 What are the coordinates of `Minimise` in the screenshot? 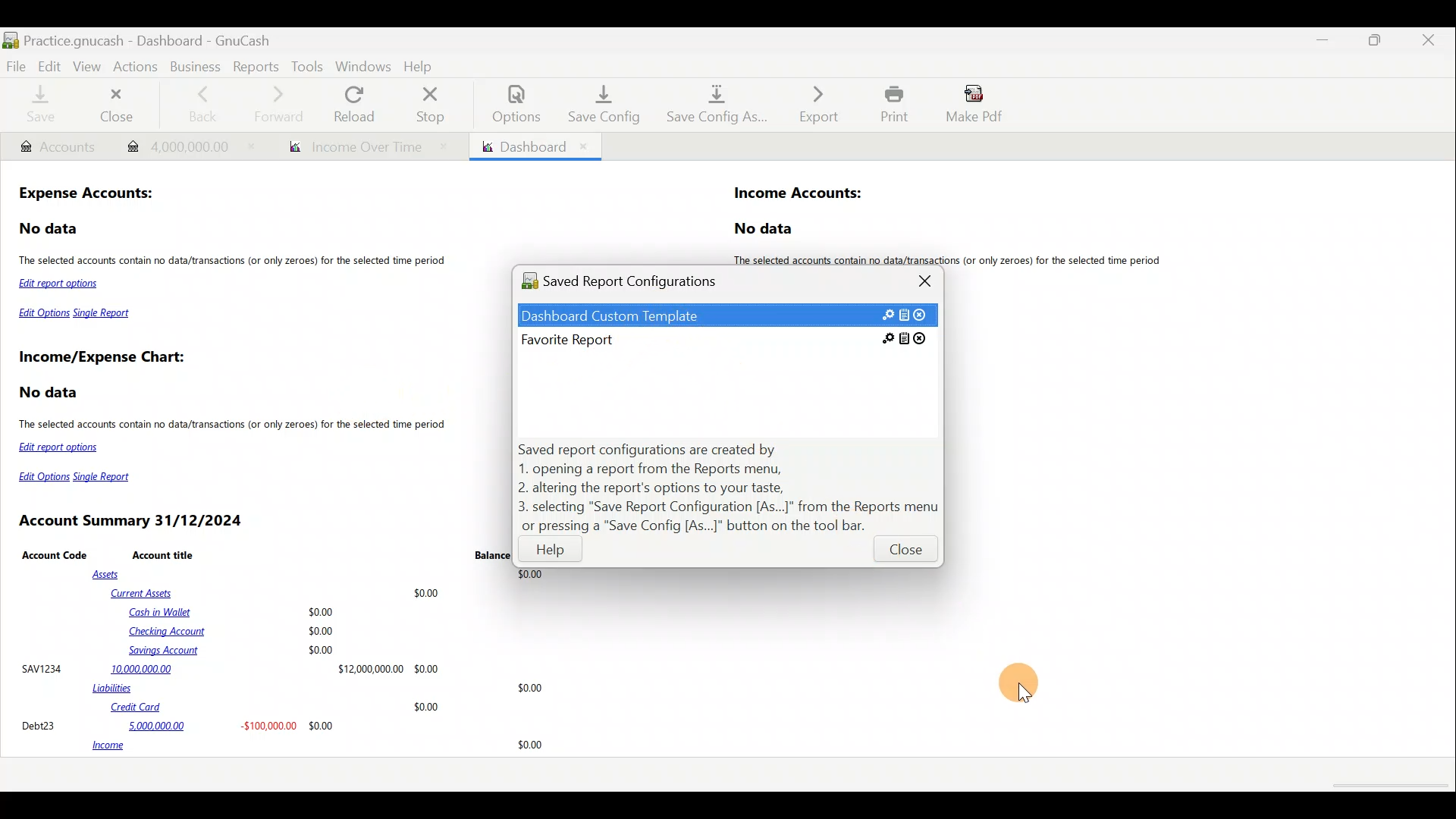 It's located at (1326, 40).